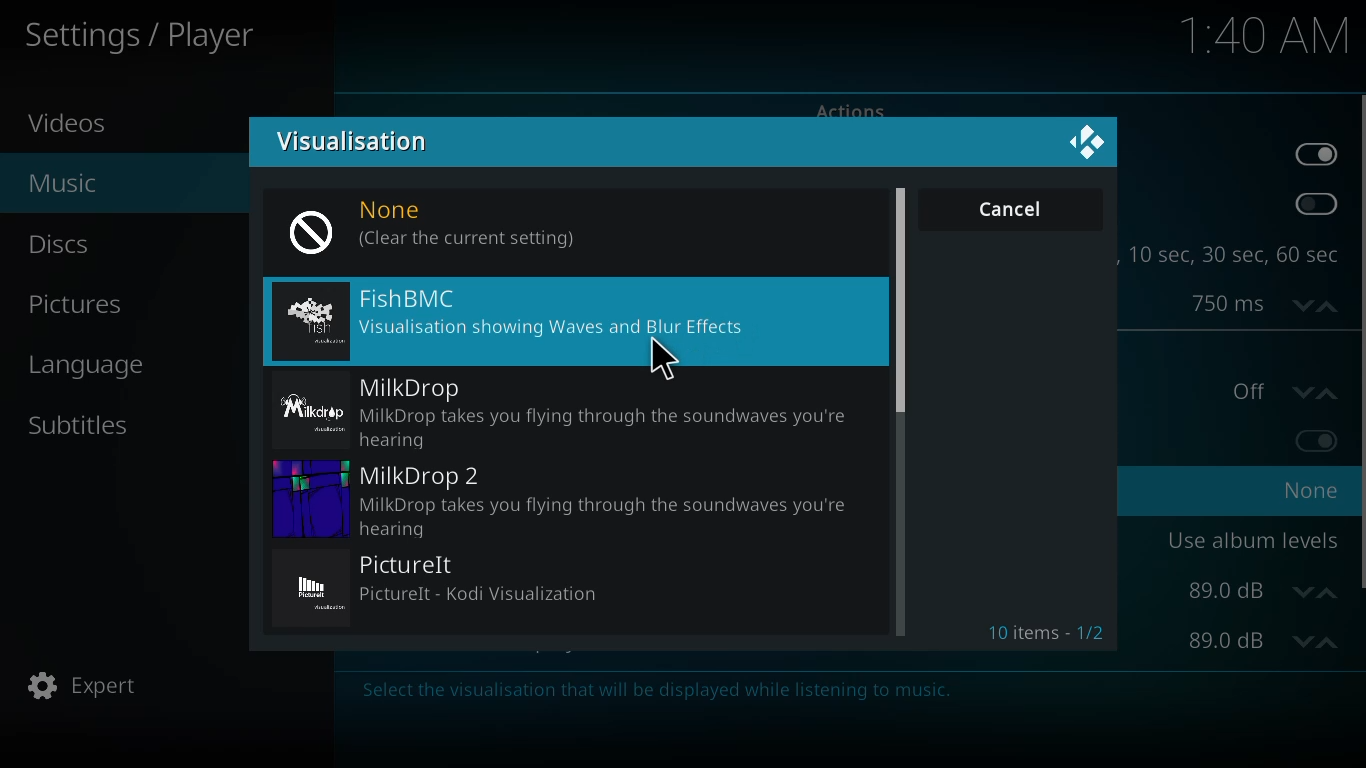 The image size is (1366, 768). Describe the element at coordinates (61, 243) in the screenshot. I see `discs` at that location.